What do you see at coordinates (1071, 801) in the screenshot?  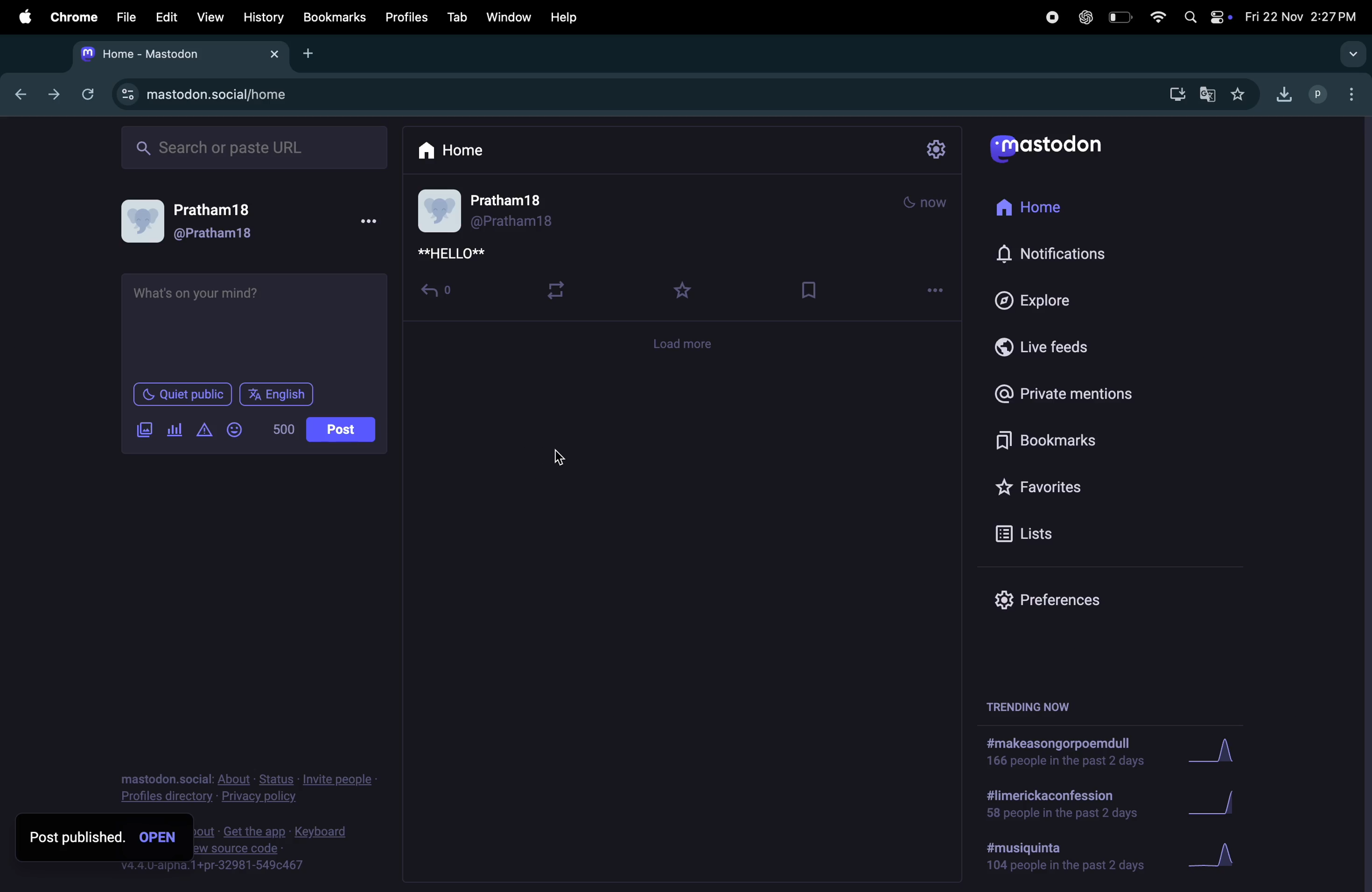 I see `limerick confession` at bounding box center [1071, 801].